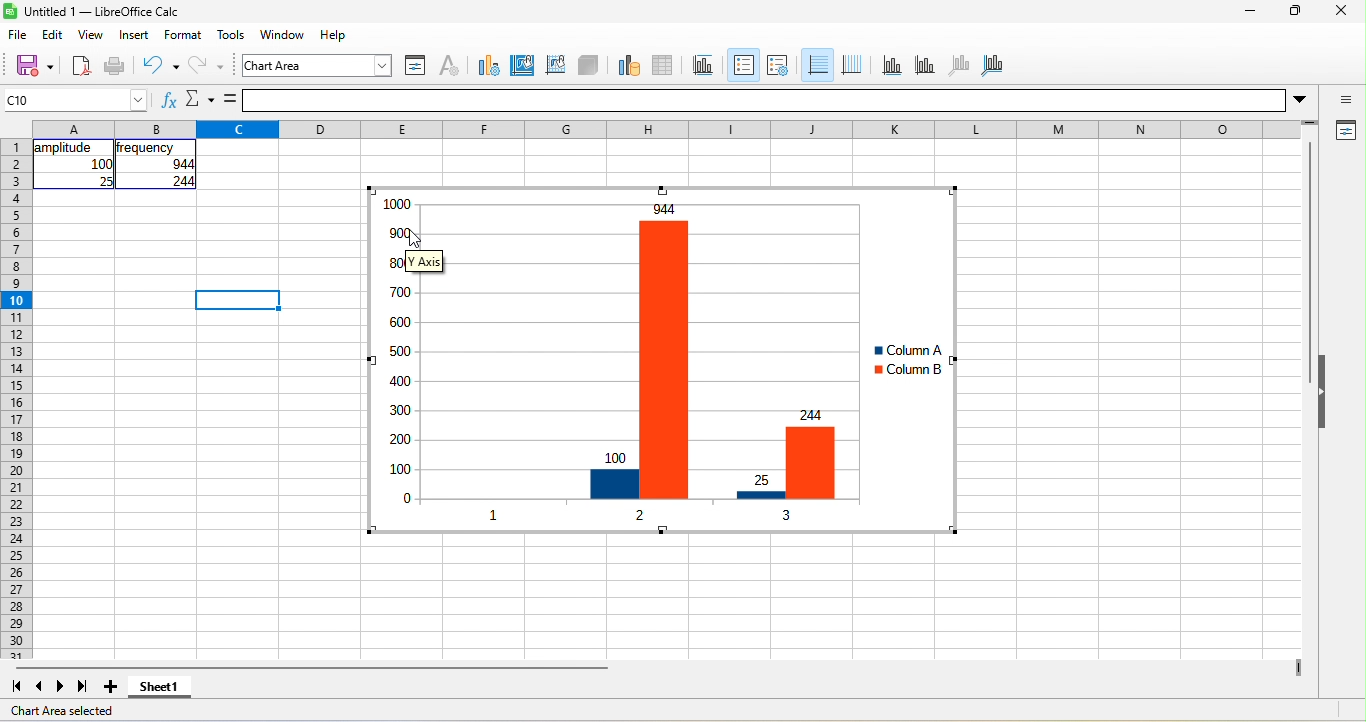 This screenshot has height=722, width=1366. Describe the element at coordinates (101, 164) in the screenshot. I see `100` at that location.